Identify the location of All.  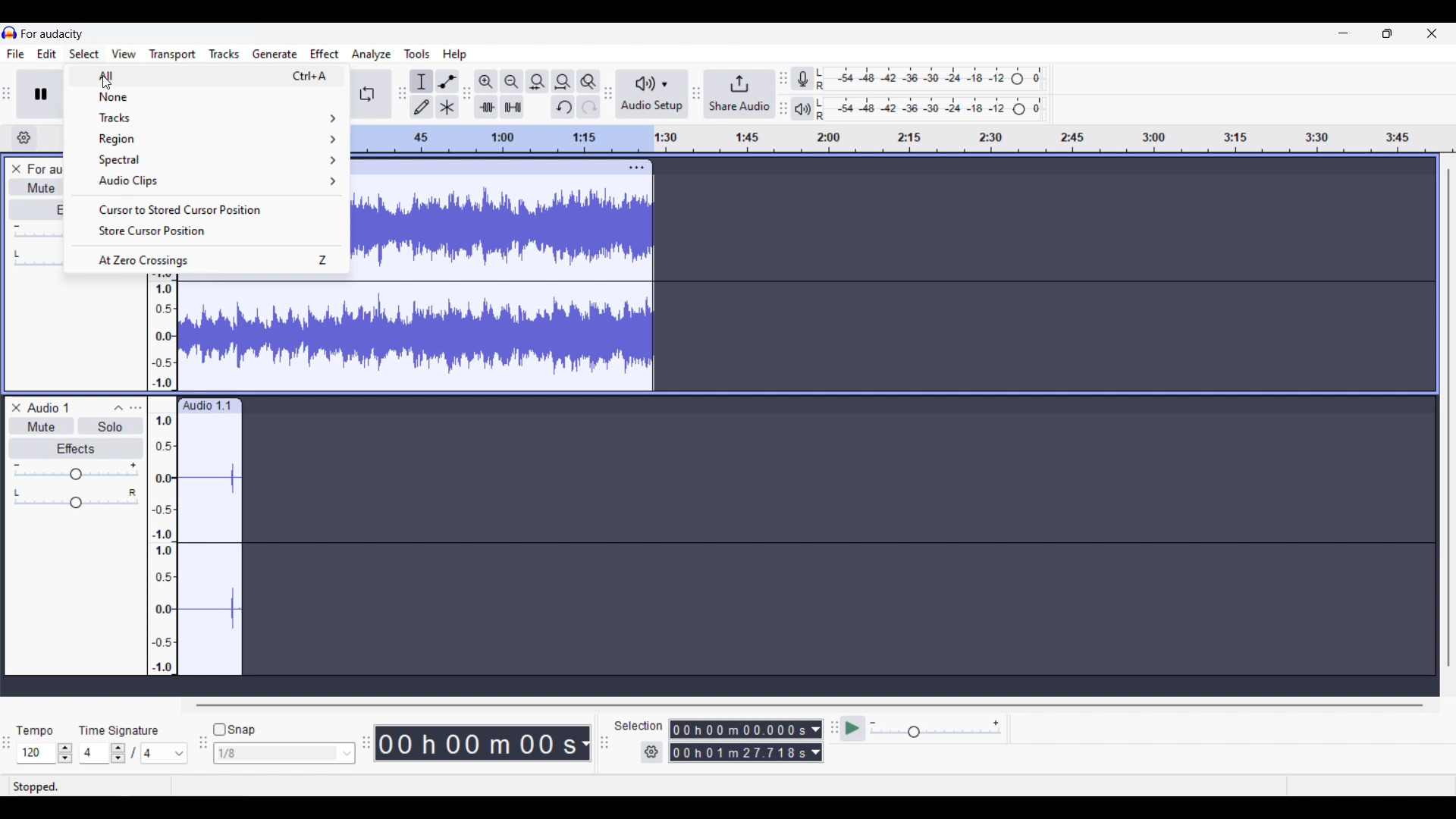
(204, 75).